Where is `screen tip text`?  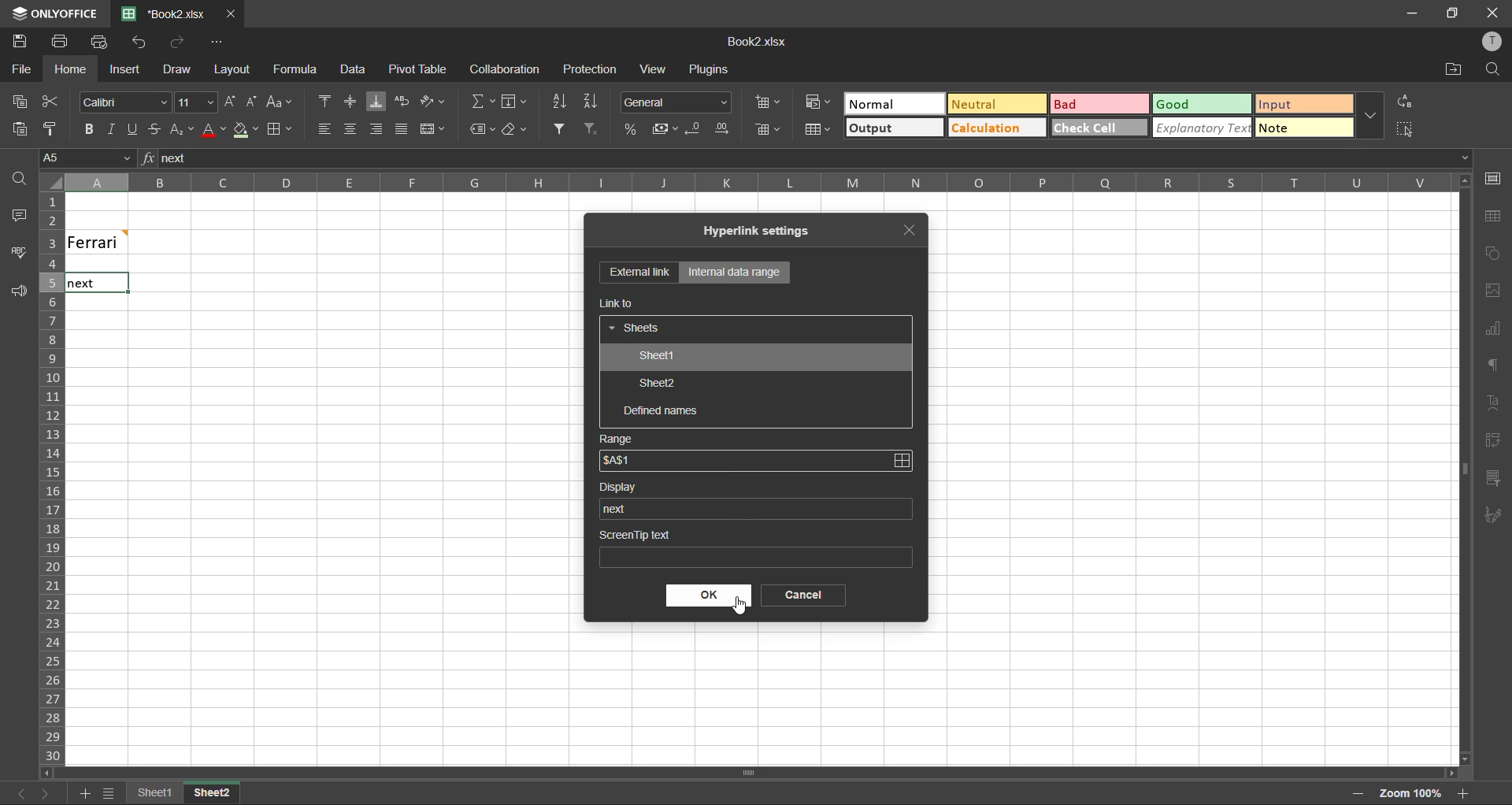 screen tip text is located at coordinates (754, 546).